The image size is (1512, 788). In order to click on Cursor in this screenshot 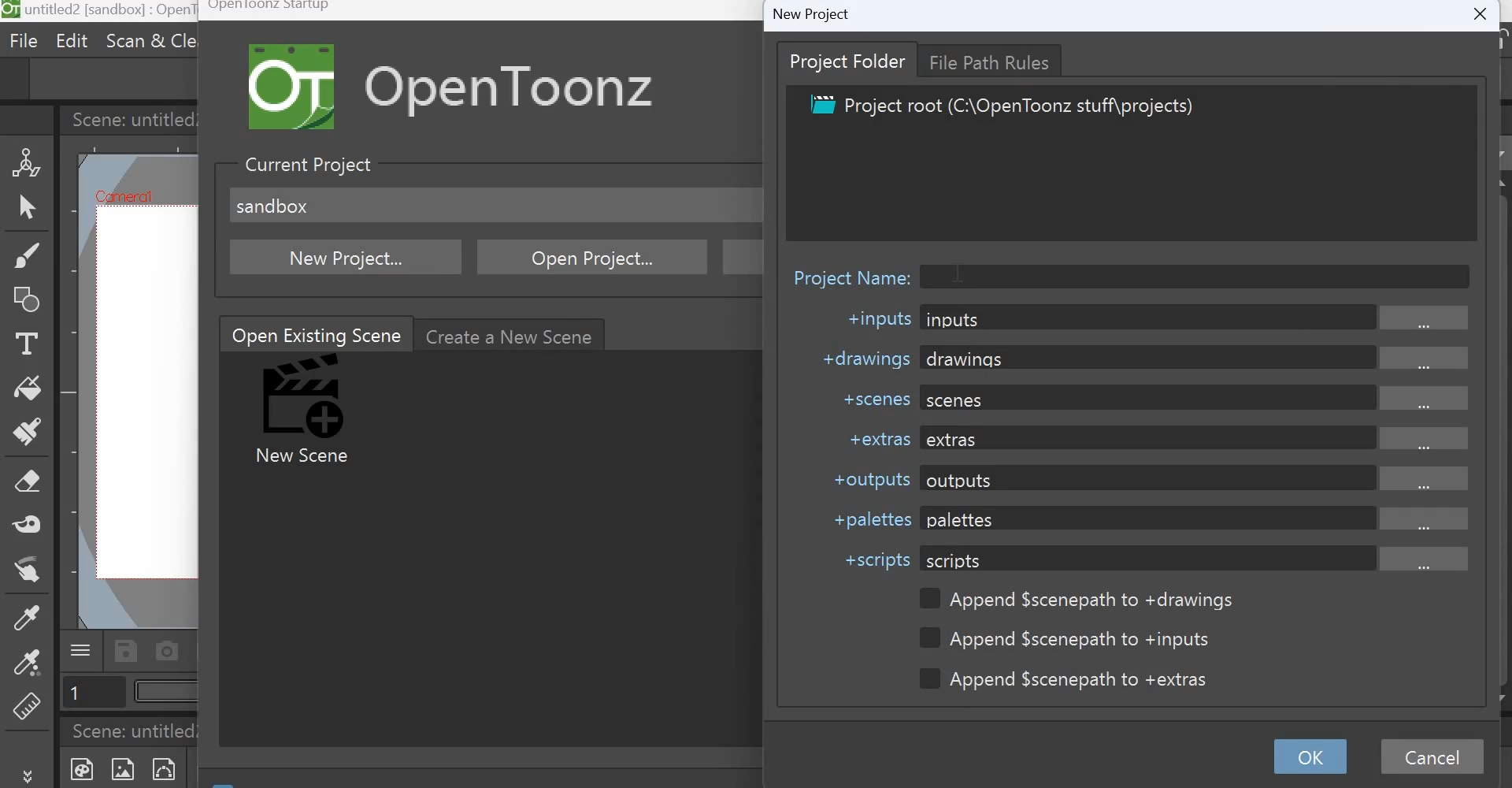, I will do `click(960, 268)`.